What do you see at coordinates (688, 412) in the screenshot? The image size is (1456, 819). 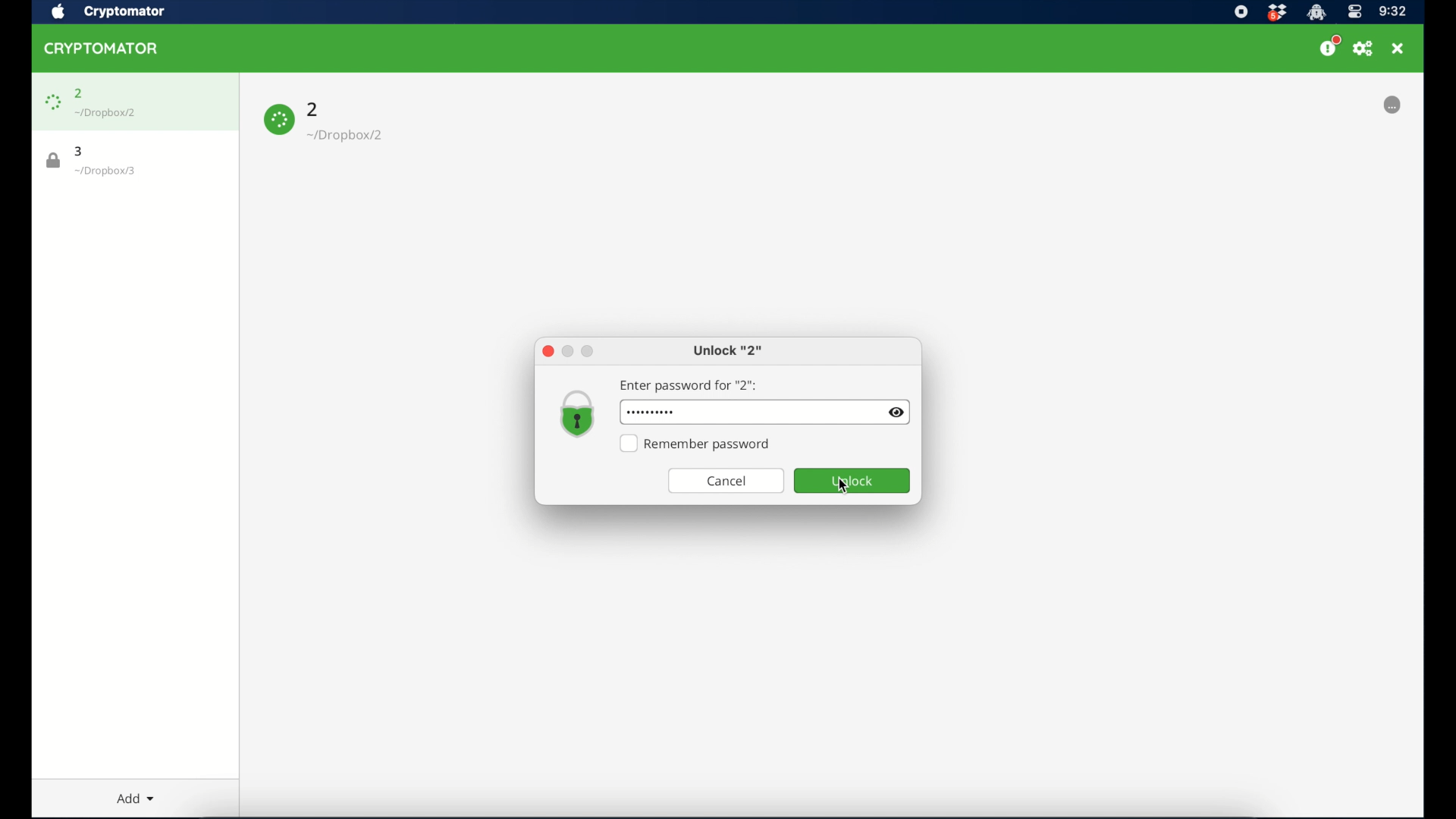 I see `encoded password` at bounding box center [688, 412].